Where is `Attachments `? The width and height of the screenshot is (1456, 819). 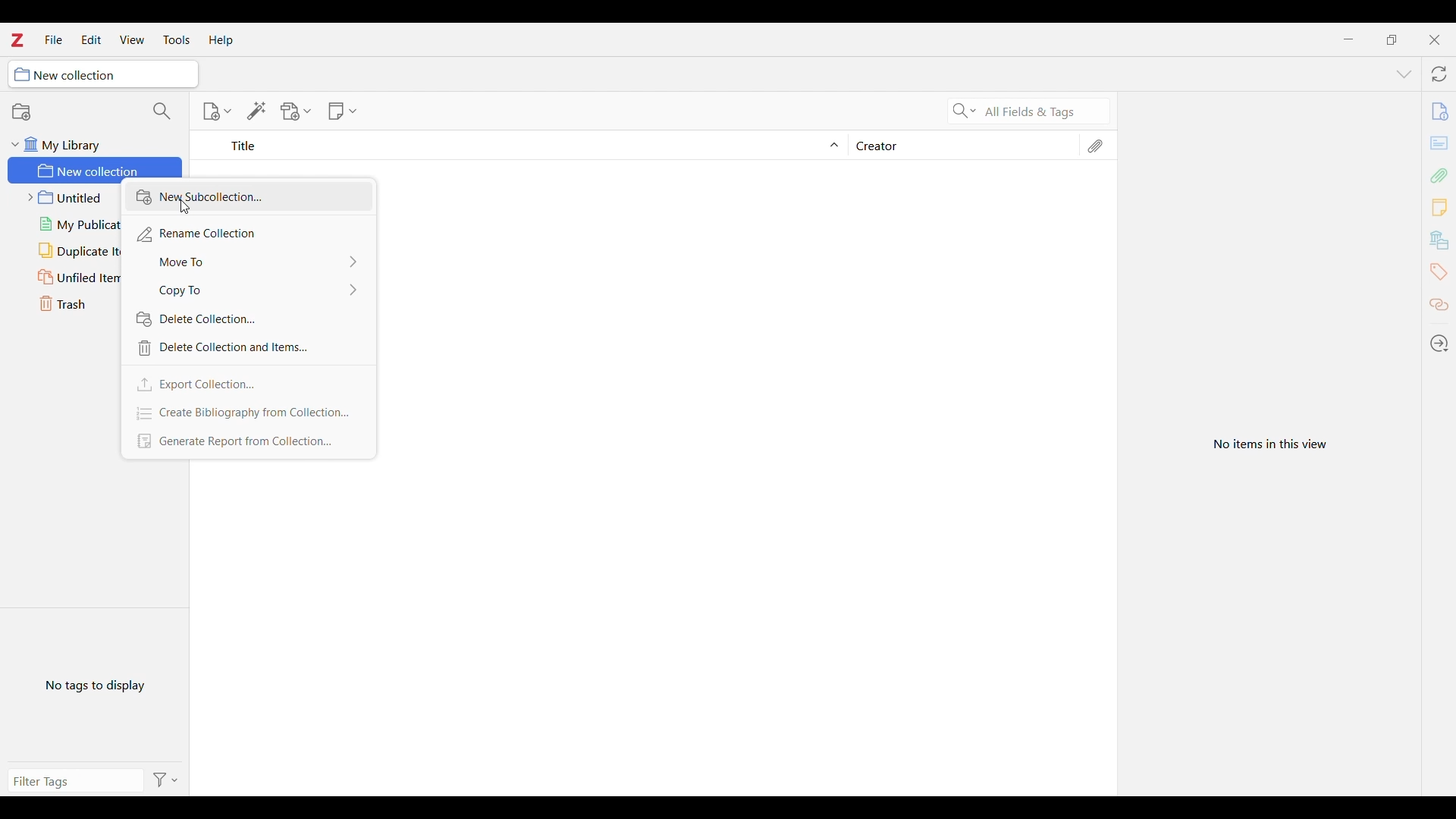
Attachments  is located at coordinates (1094, 146).